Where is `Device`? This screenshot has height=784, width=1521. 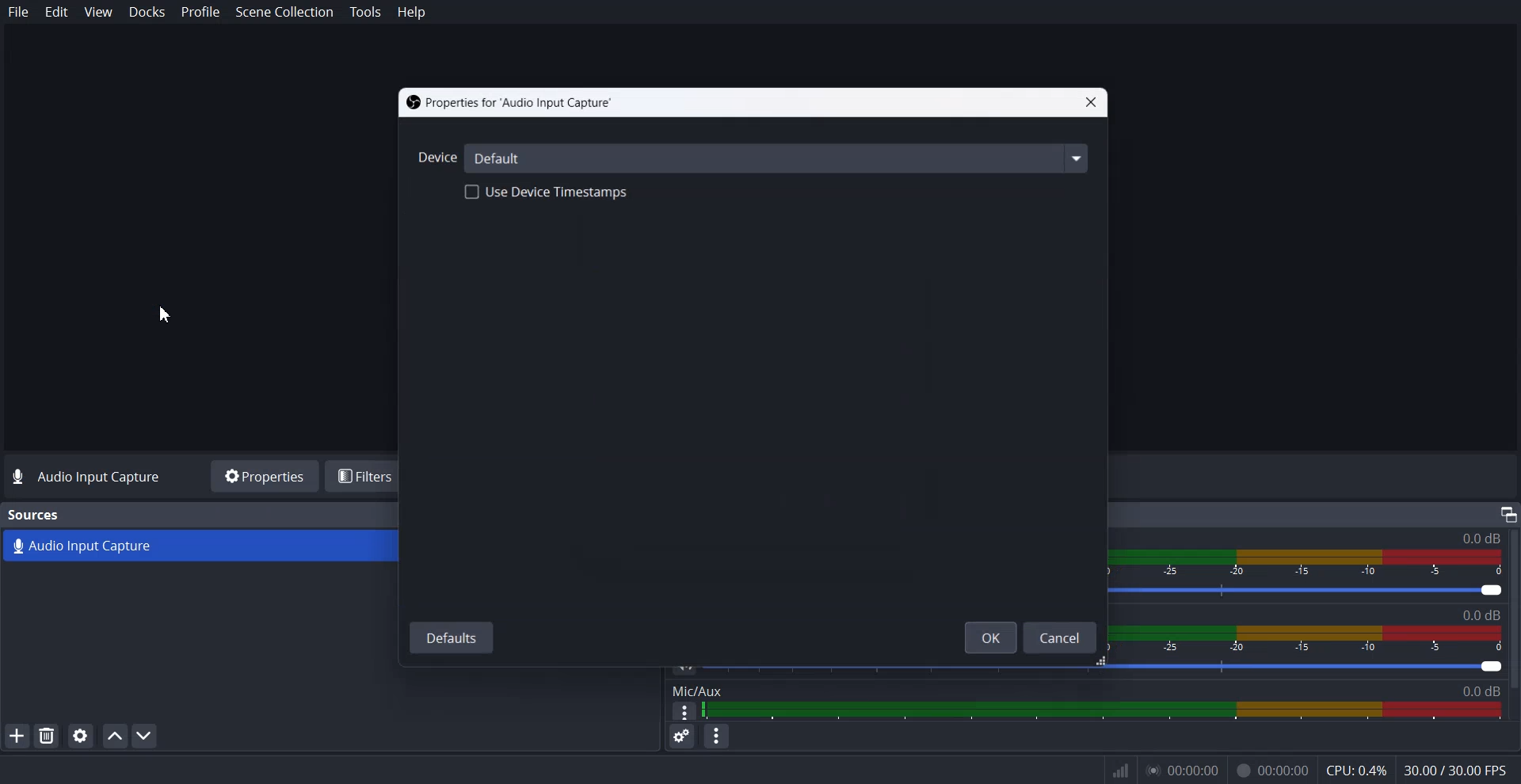
Device is located at coordinates (433, 158).